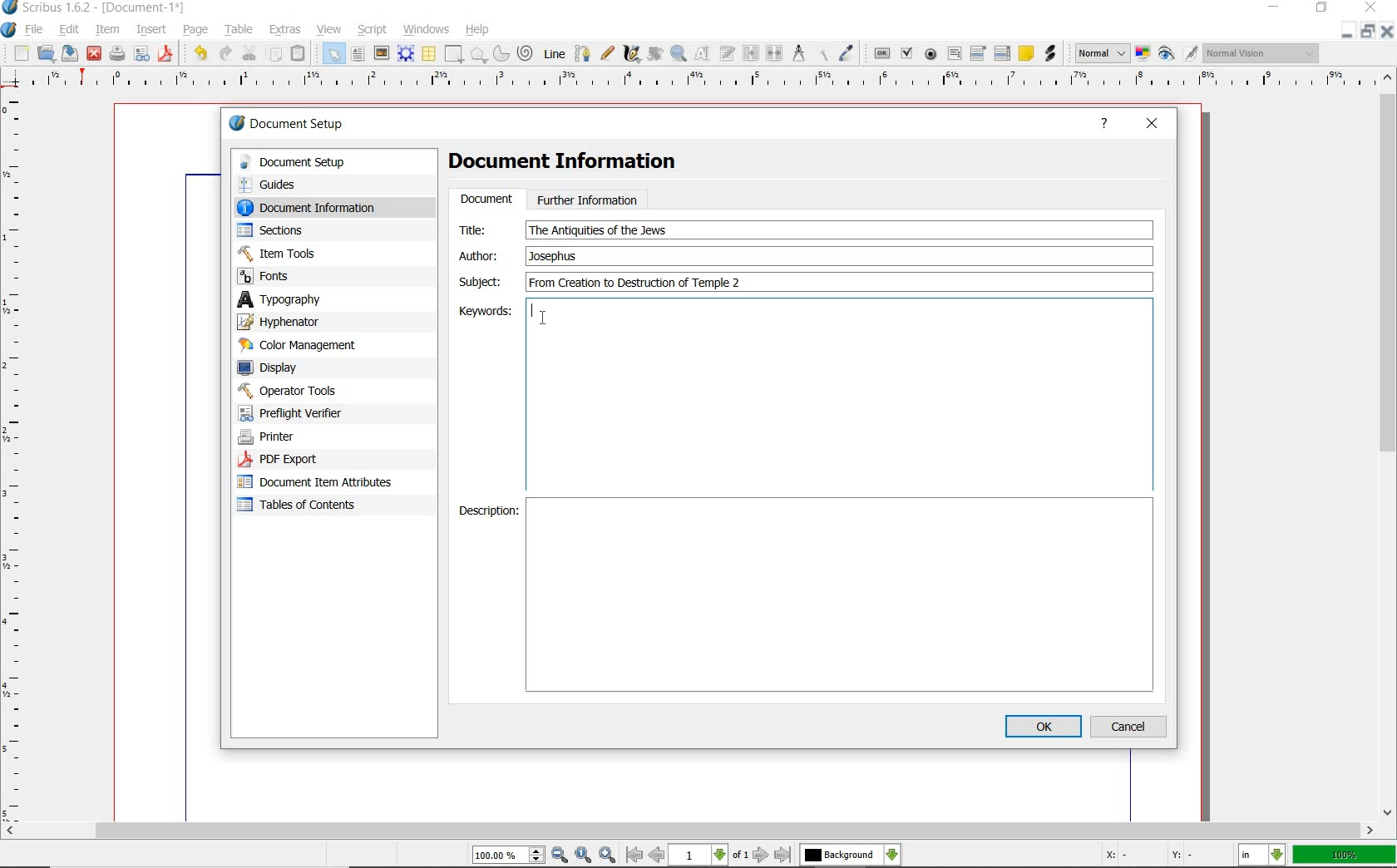 The height and width of the screenshot is (868, 1397). Describe the element at coordinates (606, 52) in the screenshot. I see `freehand line` at that location.